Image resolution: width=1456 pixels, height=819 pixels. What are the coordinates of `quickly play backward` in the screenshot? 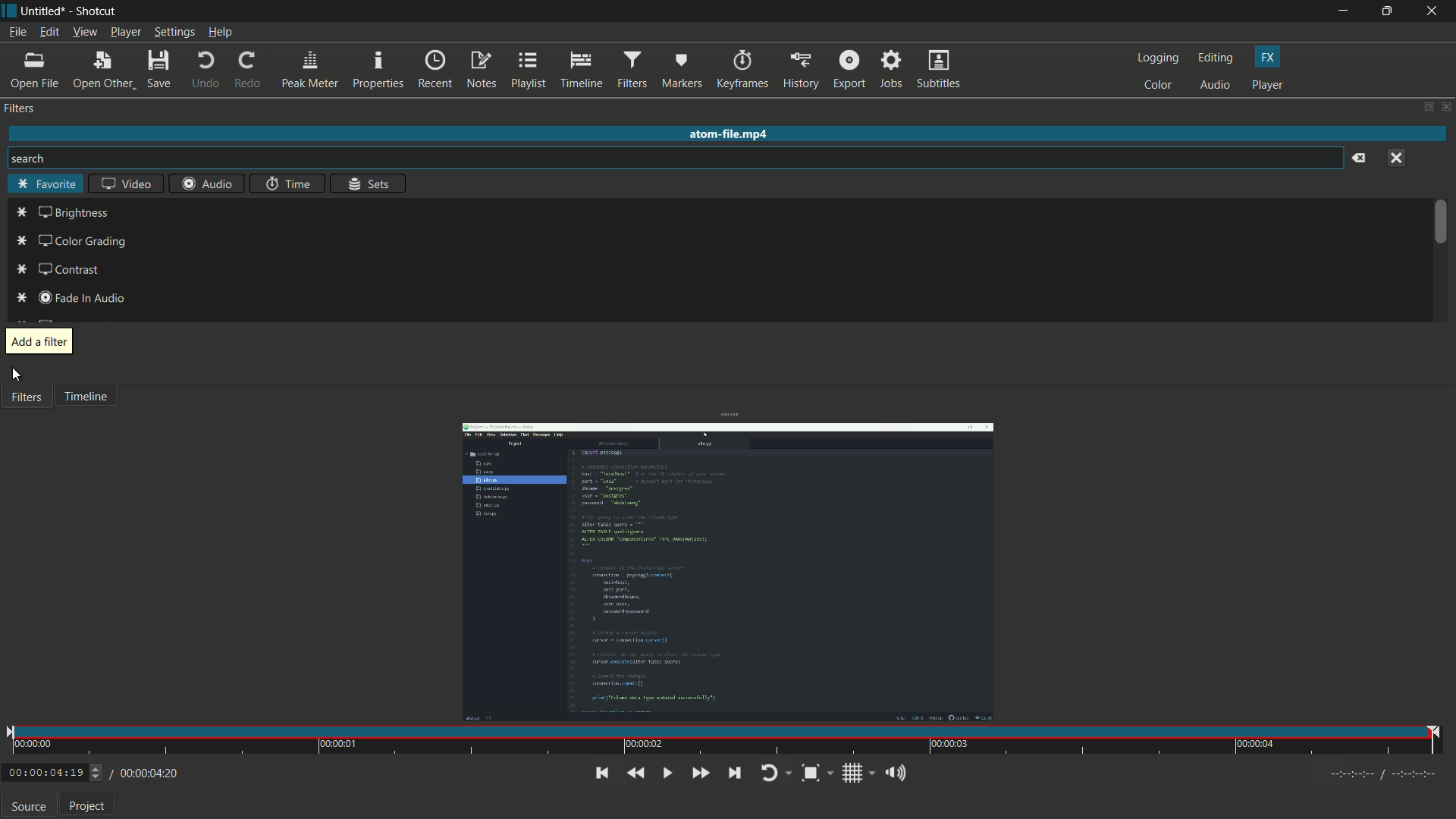 It's located at (635, 773).